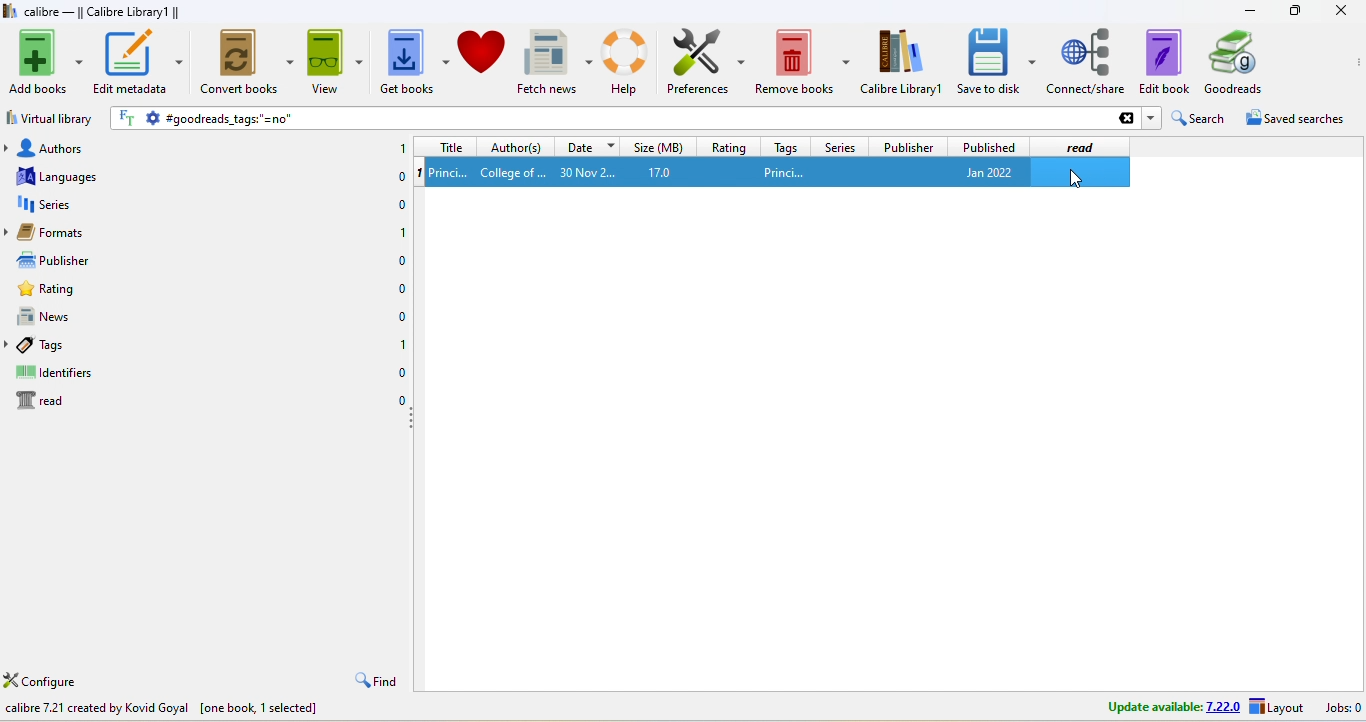  I want to click on calibre - || Calibre Library1 ||, so click(102, 11).